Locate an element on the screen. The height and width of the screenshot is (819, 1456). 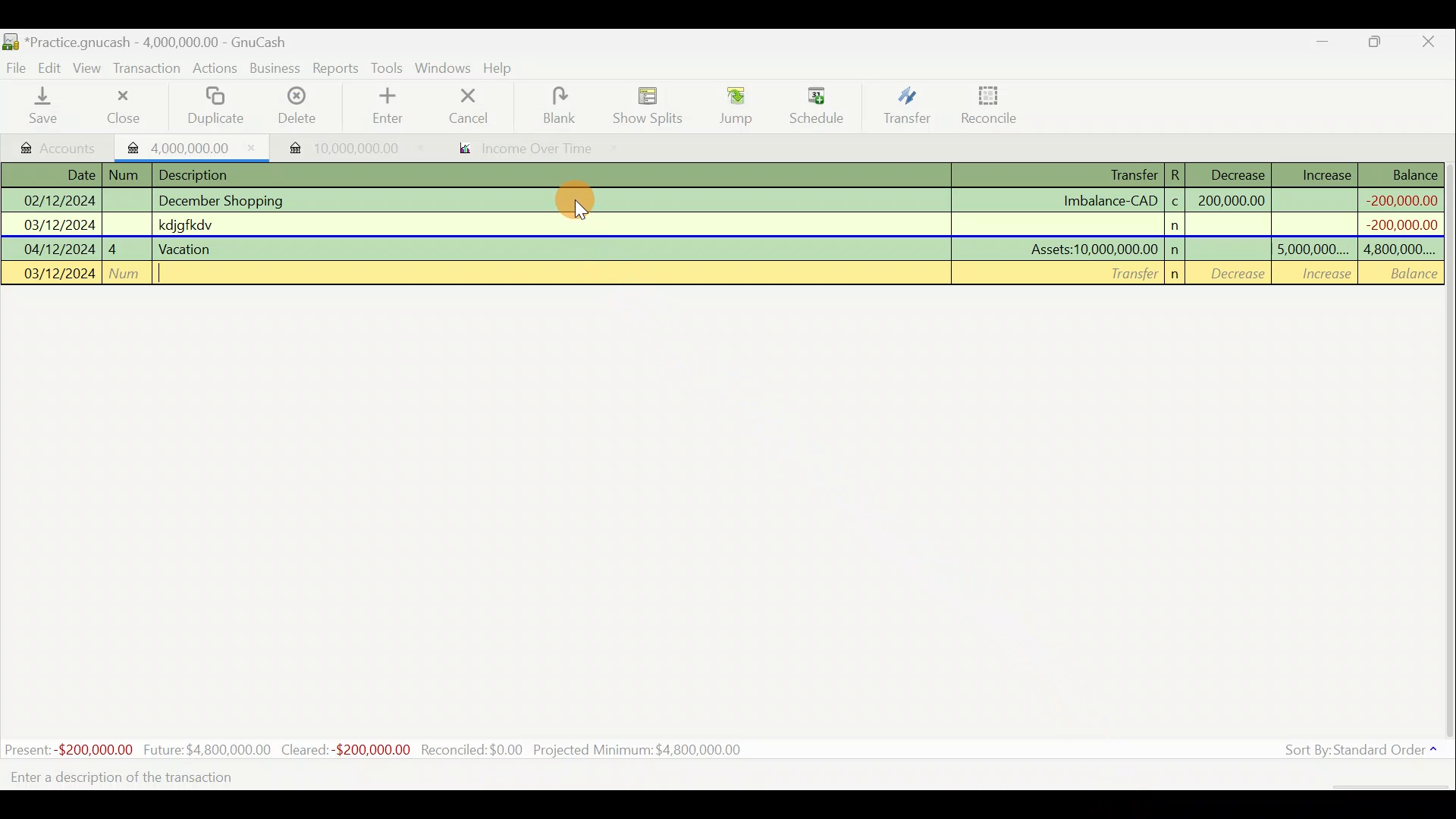
Delete is located at coordinates (295, 111).